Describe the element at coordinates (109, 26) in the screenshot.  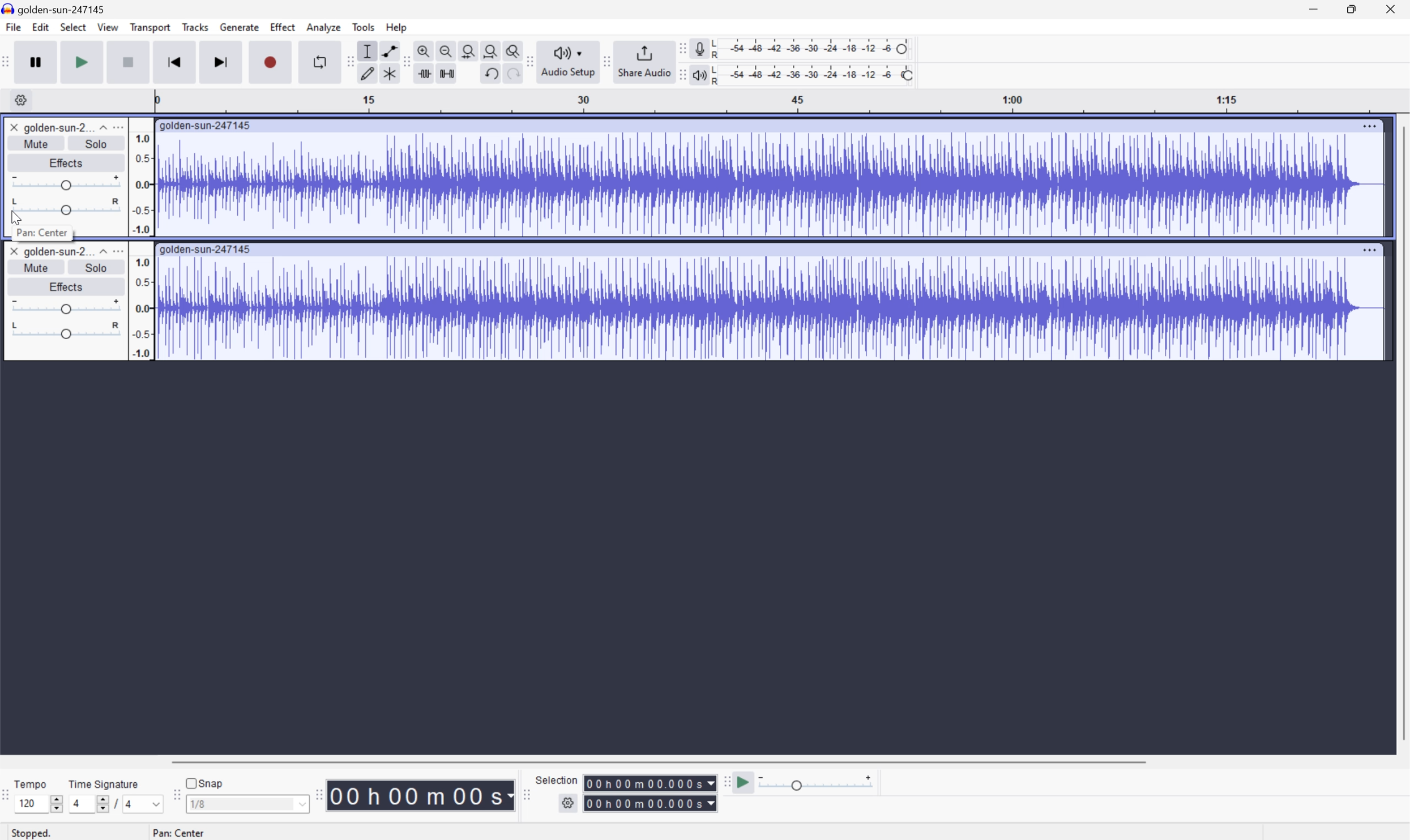
I see `View` at that location.